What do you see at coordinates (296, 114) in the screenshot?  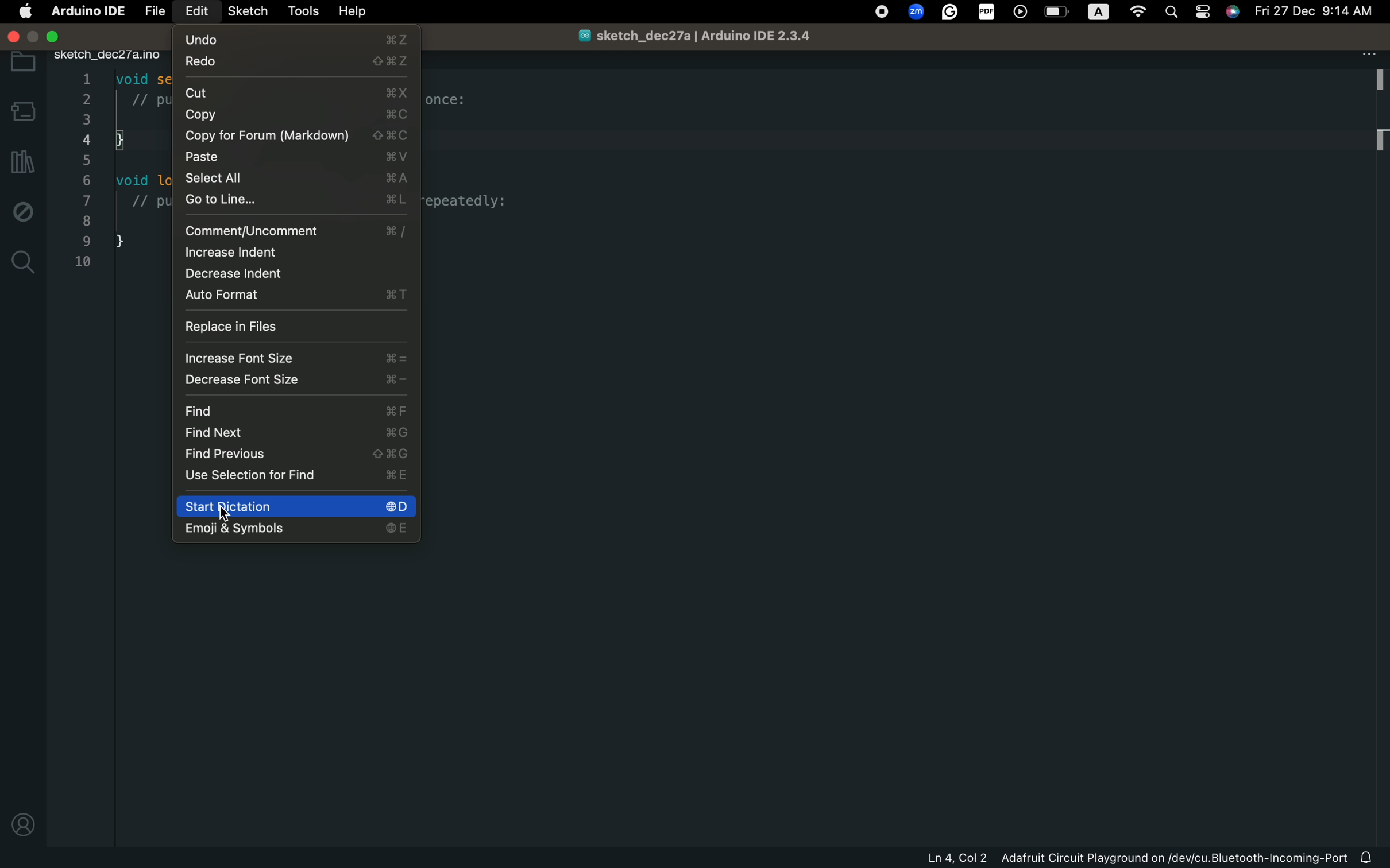 I see `copy` at bounding box center [296, 114].